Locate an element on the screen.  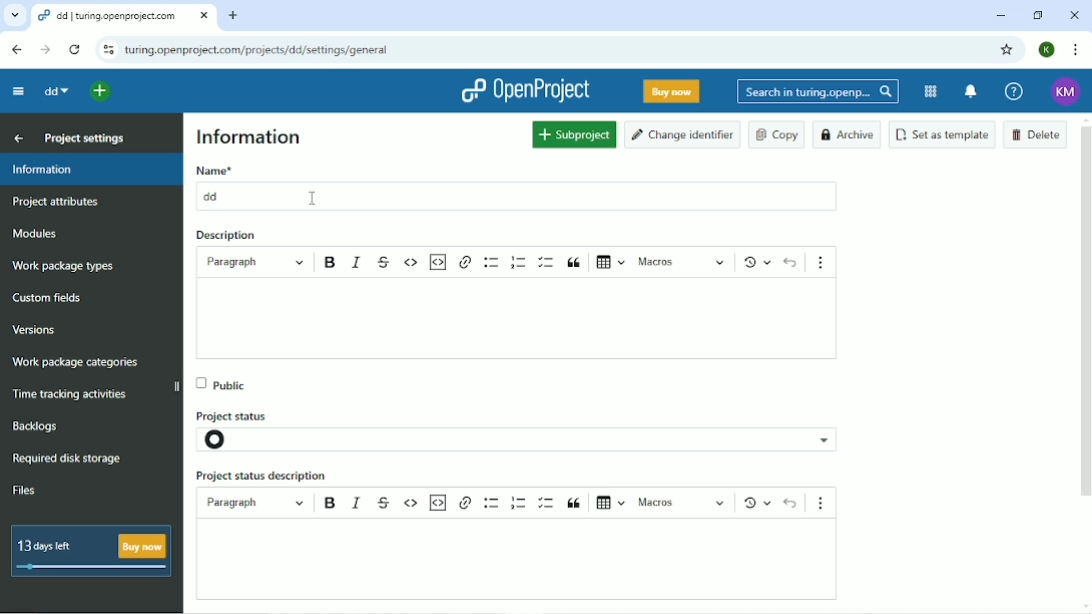
hyperlink is located at coordinates (466, 503).